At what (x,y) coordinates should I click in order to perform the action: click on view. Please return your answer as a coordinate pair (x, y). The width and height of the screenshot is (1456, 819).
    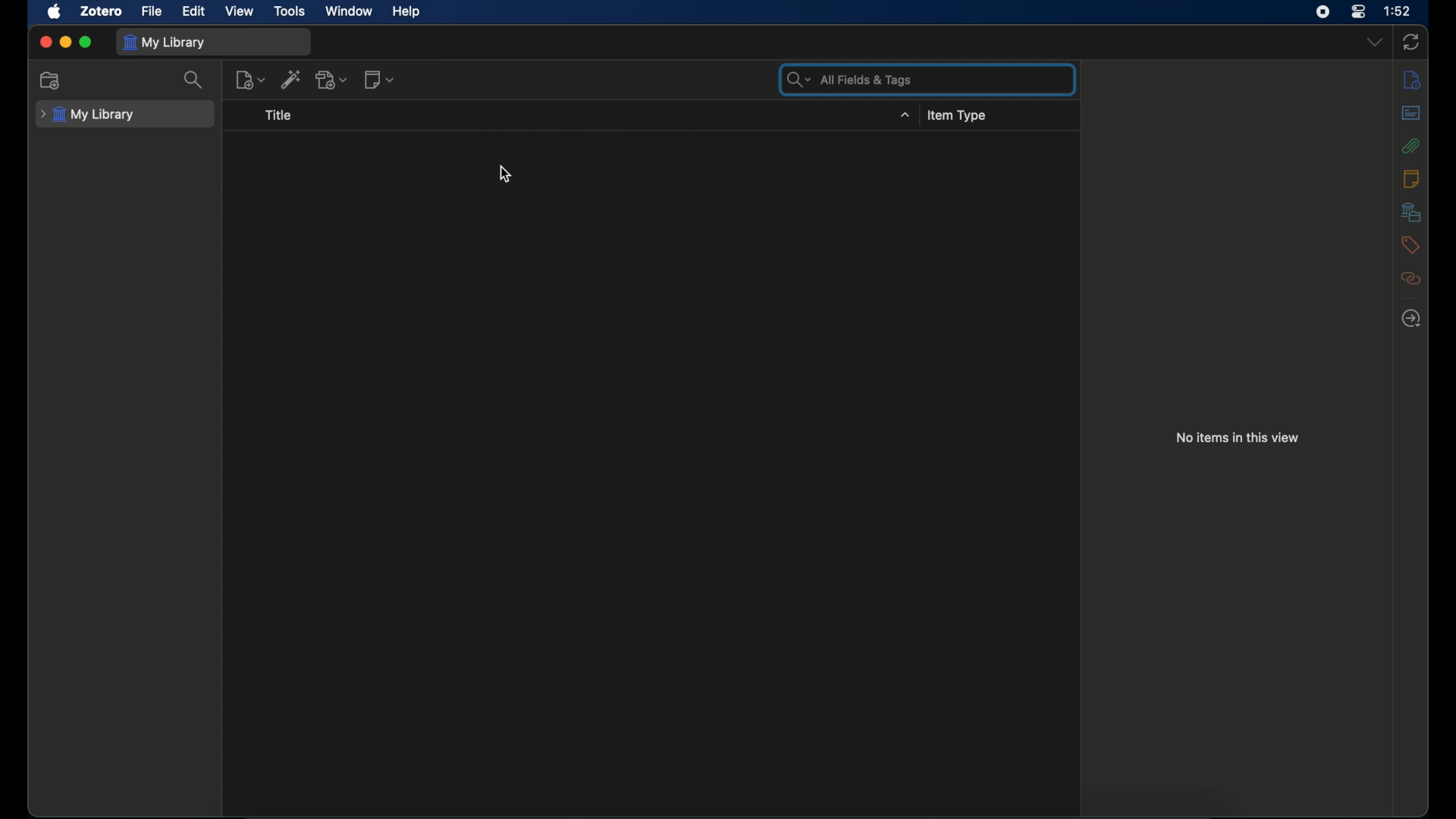
    Looking at the image, I should click on (240, 12).